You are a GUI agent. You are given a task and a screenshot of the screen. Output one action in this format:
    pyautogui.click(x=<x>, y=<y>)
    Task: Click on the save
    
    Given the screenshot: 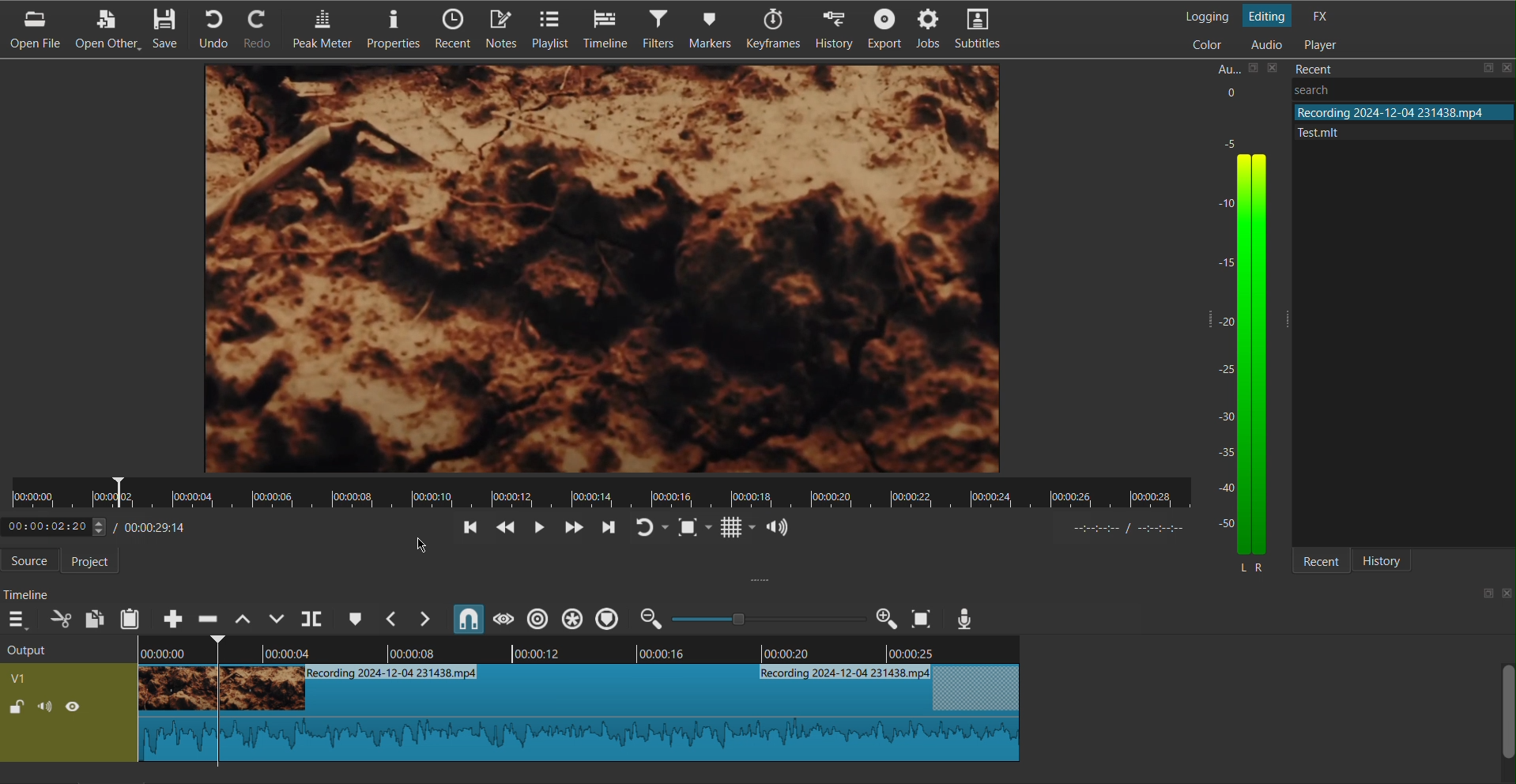 What is the action you would take?
    pyautogui.click(x=1484, y=595)
    